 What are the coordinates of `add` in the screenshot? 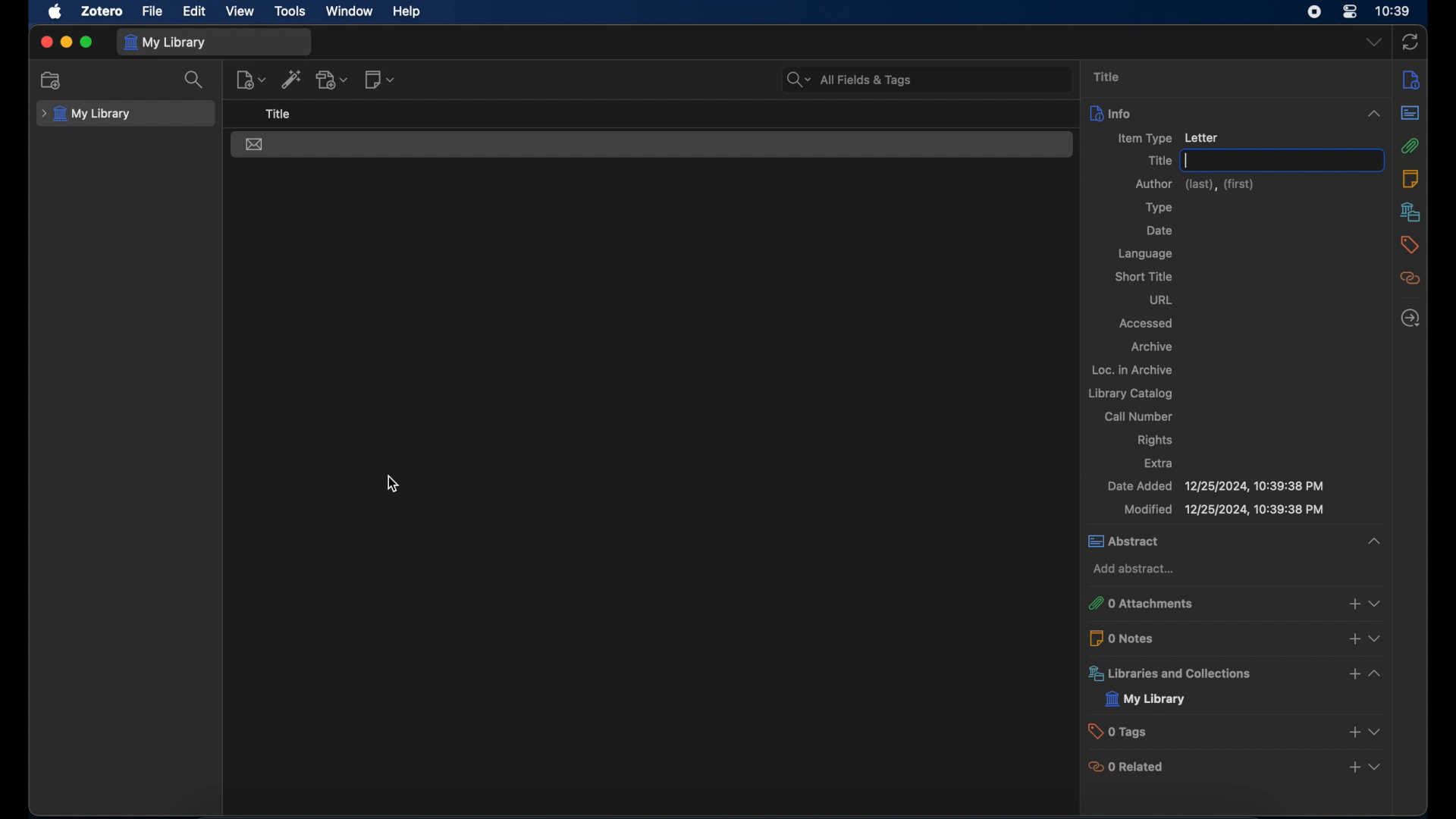 It's located at (1354, 604).